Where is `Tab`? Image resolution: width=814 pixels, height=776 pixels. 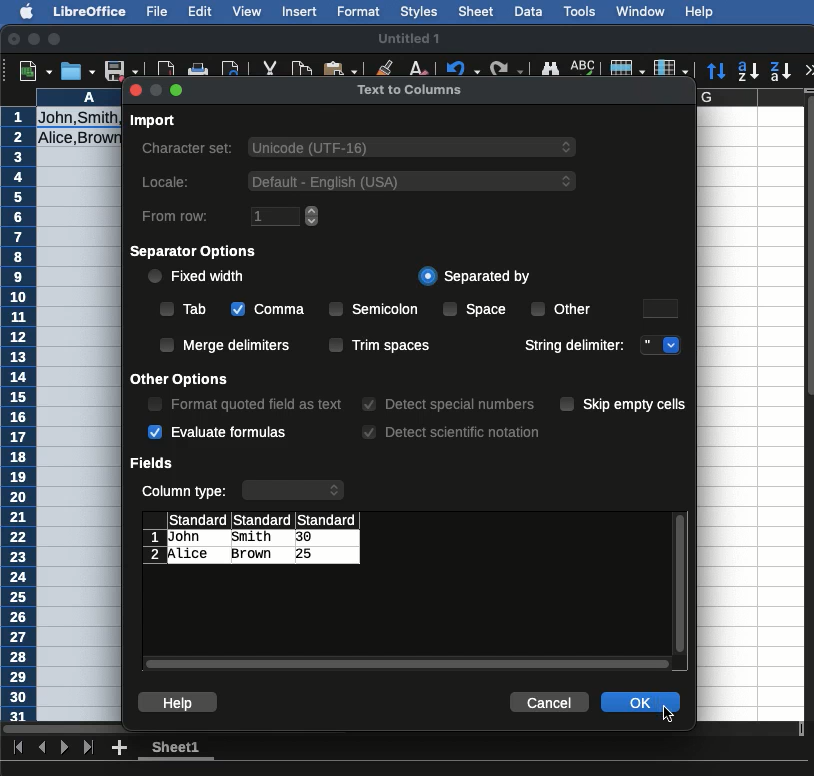
Tab is located at coordinates (185, 311).